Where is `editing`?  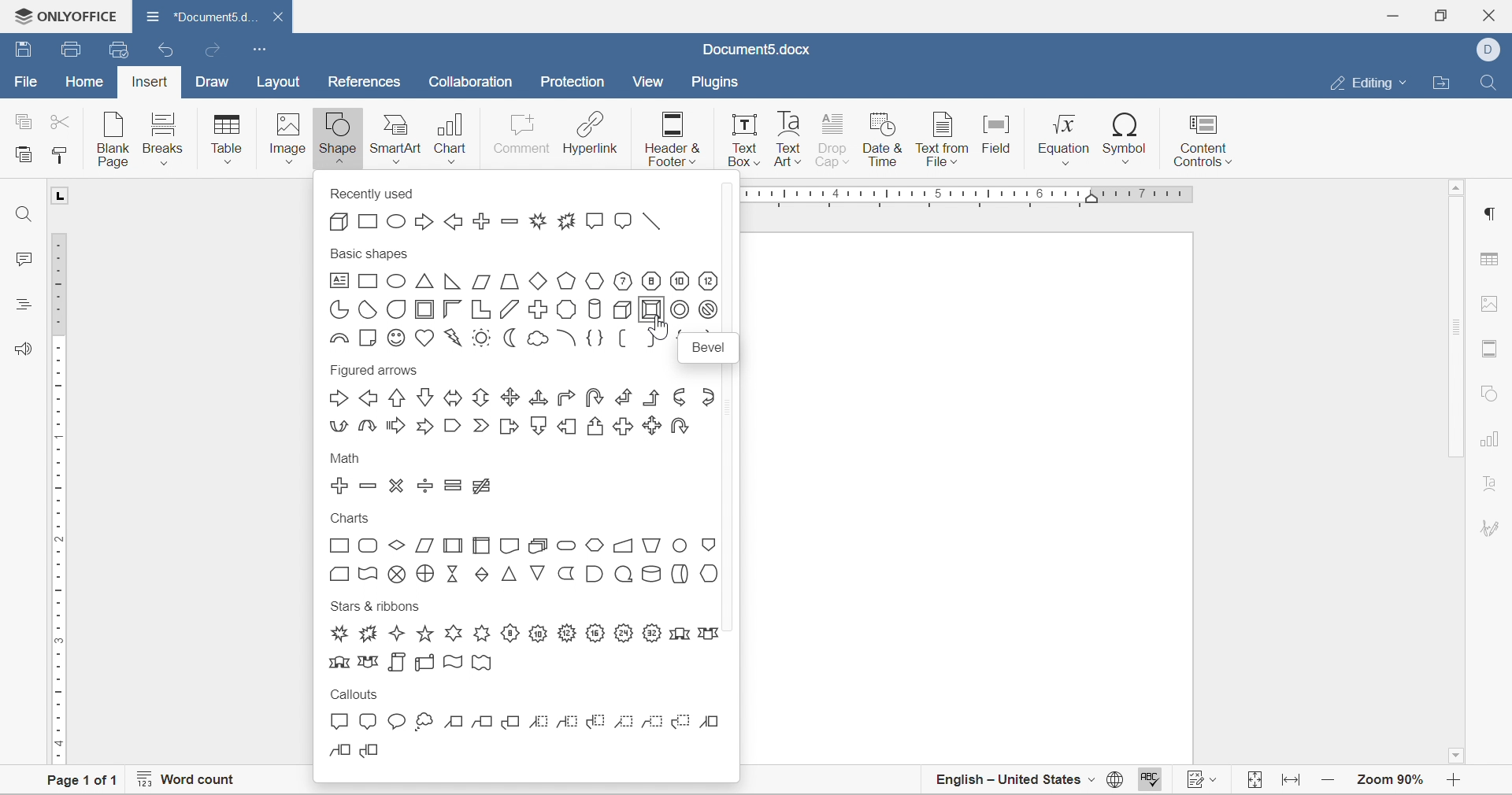
editing is located at coordinates (1365, 83).